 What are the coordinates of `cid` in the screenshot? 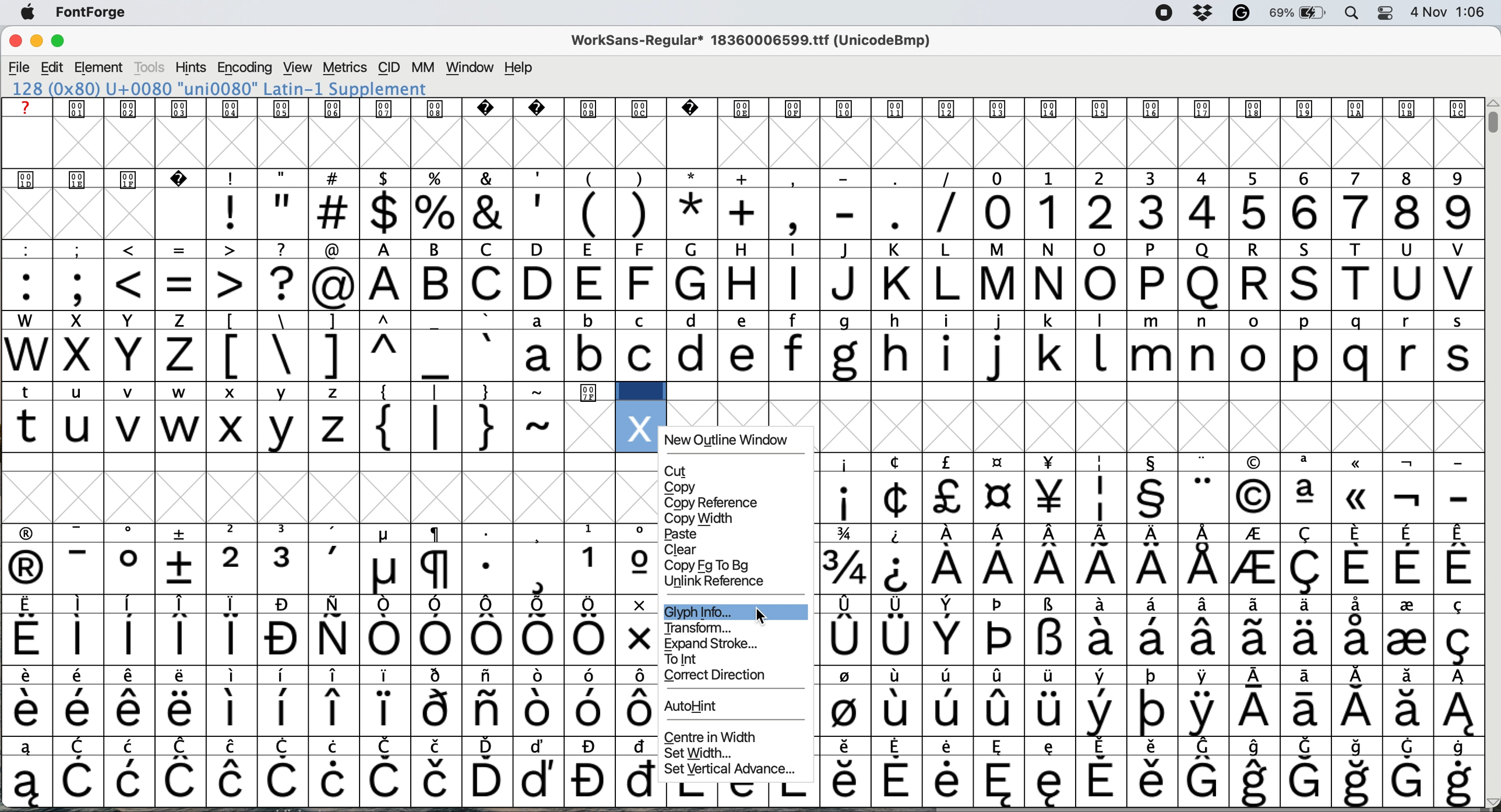 It's located at (389, 68).